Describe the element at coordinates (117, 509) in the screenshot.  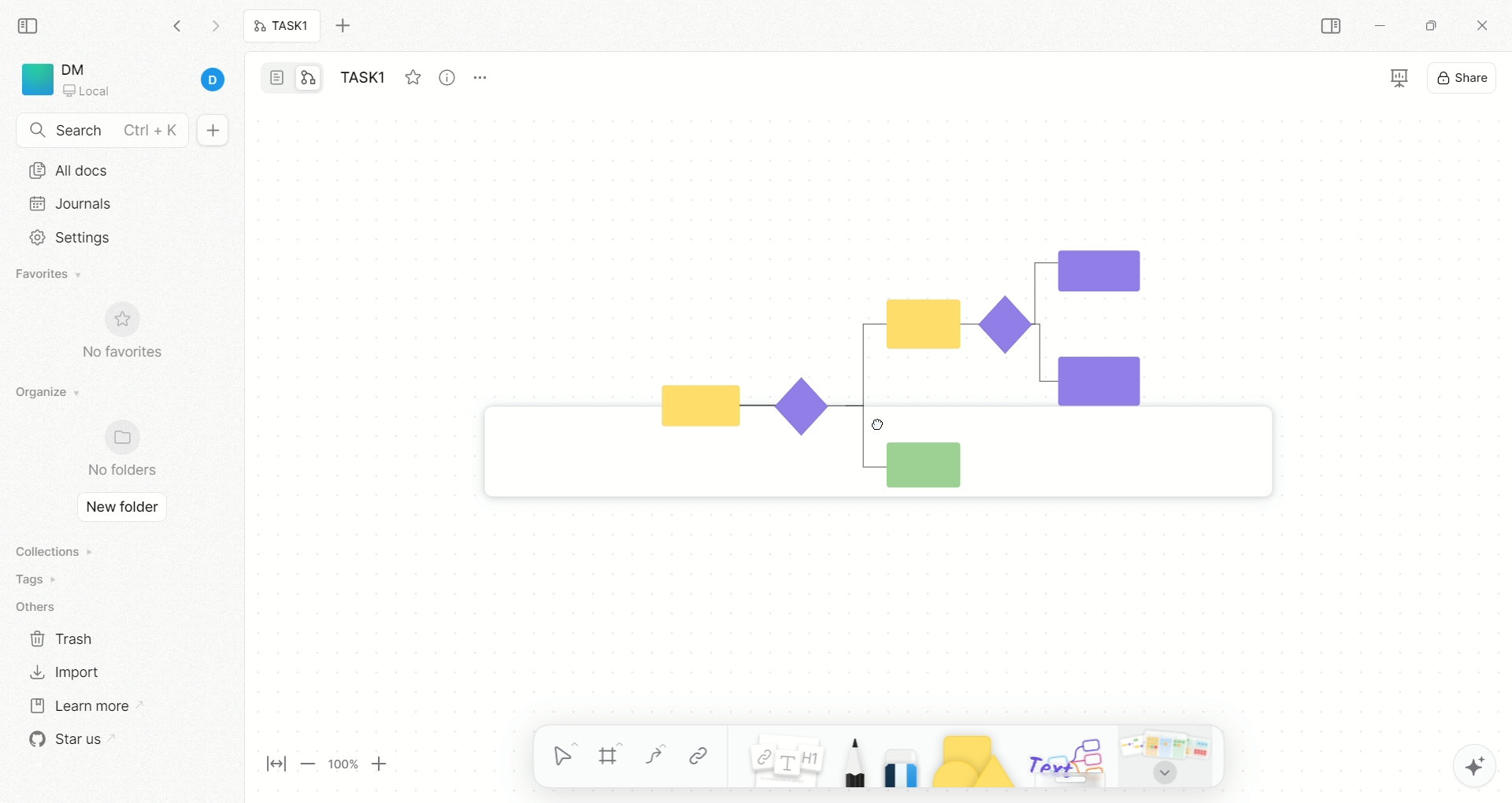
I see `new folder` at that location.